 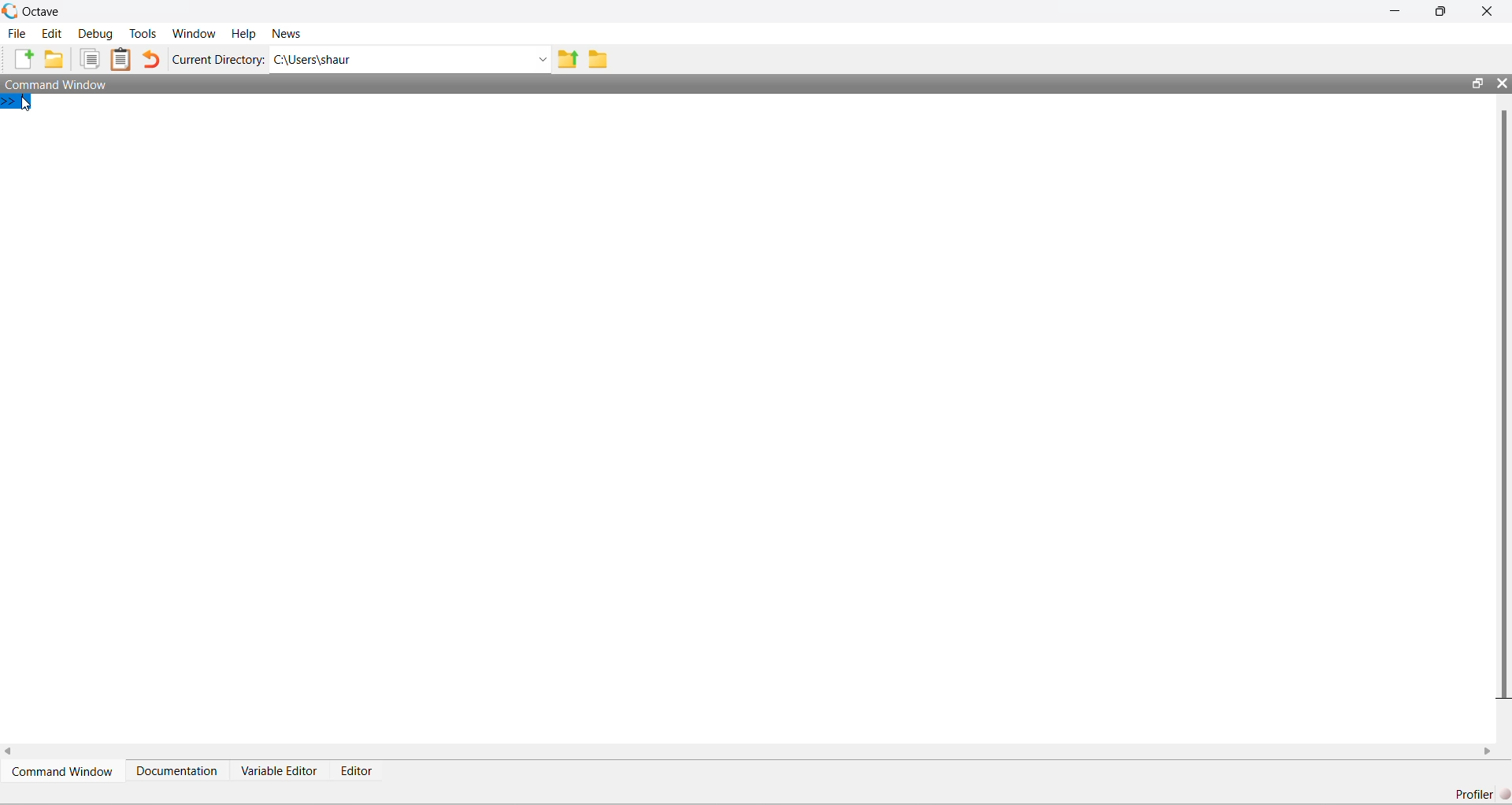 What do you see at coordinates (193, 33) in the screenshot?
I see `Window` at bounding box center [193, 33].